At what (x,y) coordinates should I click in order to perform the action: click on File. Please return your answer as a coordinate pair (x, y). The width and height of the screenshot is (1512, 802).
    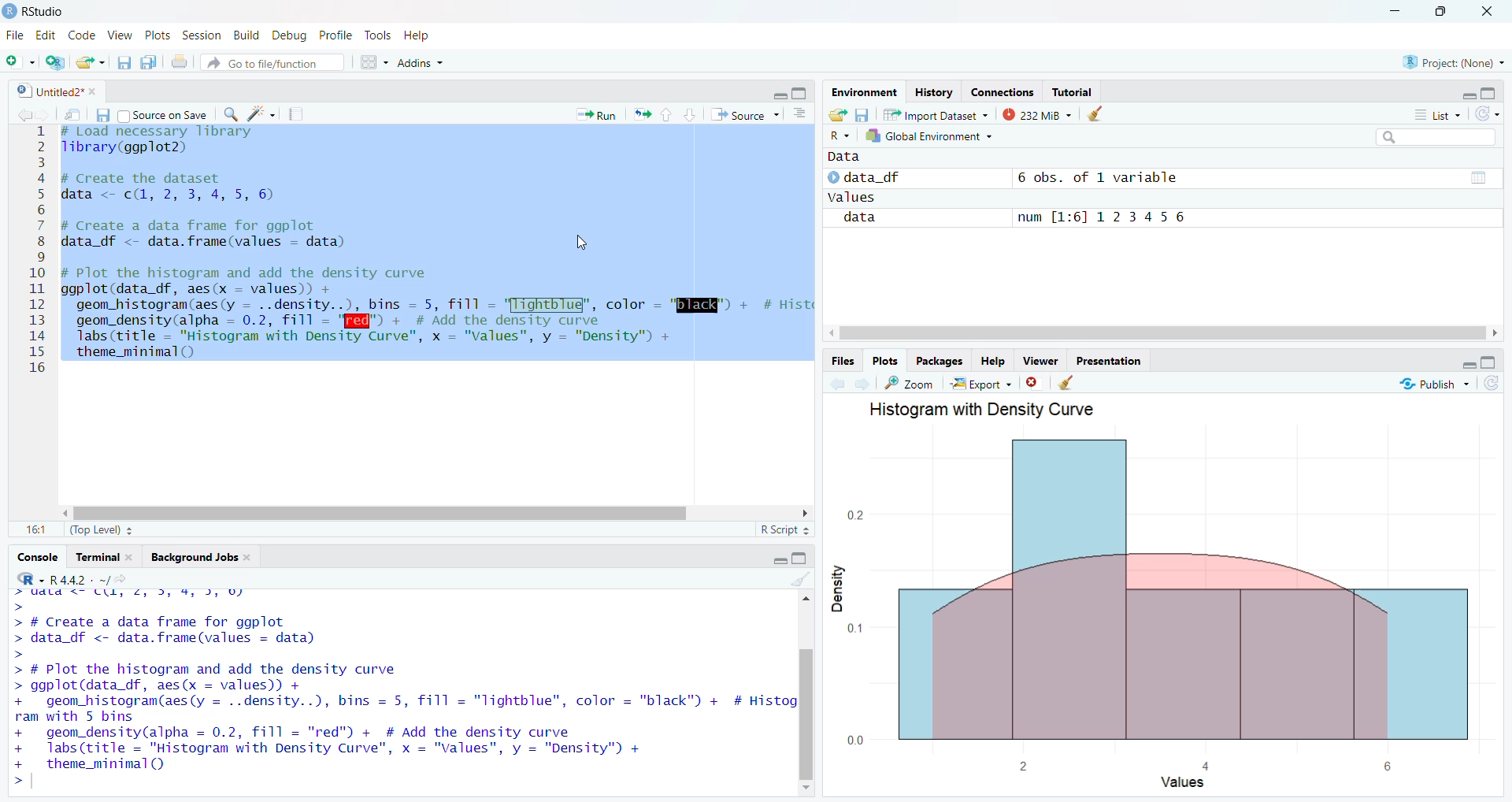
    Looking at the image, I should click on (14, 33).